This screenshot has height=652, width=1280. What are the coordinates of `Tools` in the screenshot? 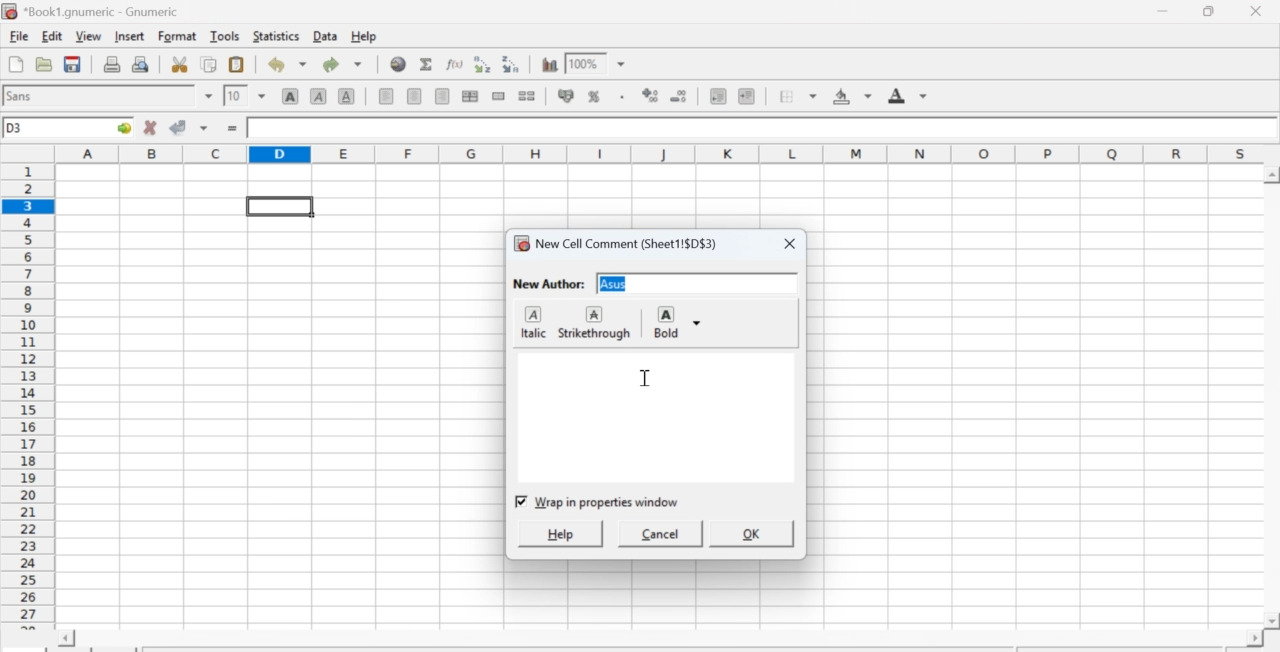 It's located at (227, 37).